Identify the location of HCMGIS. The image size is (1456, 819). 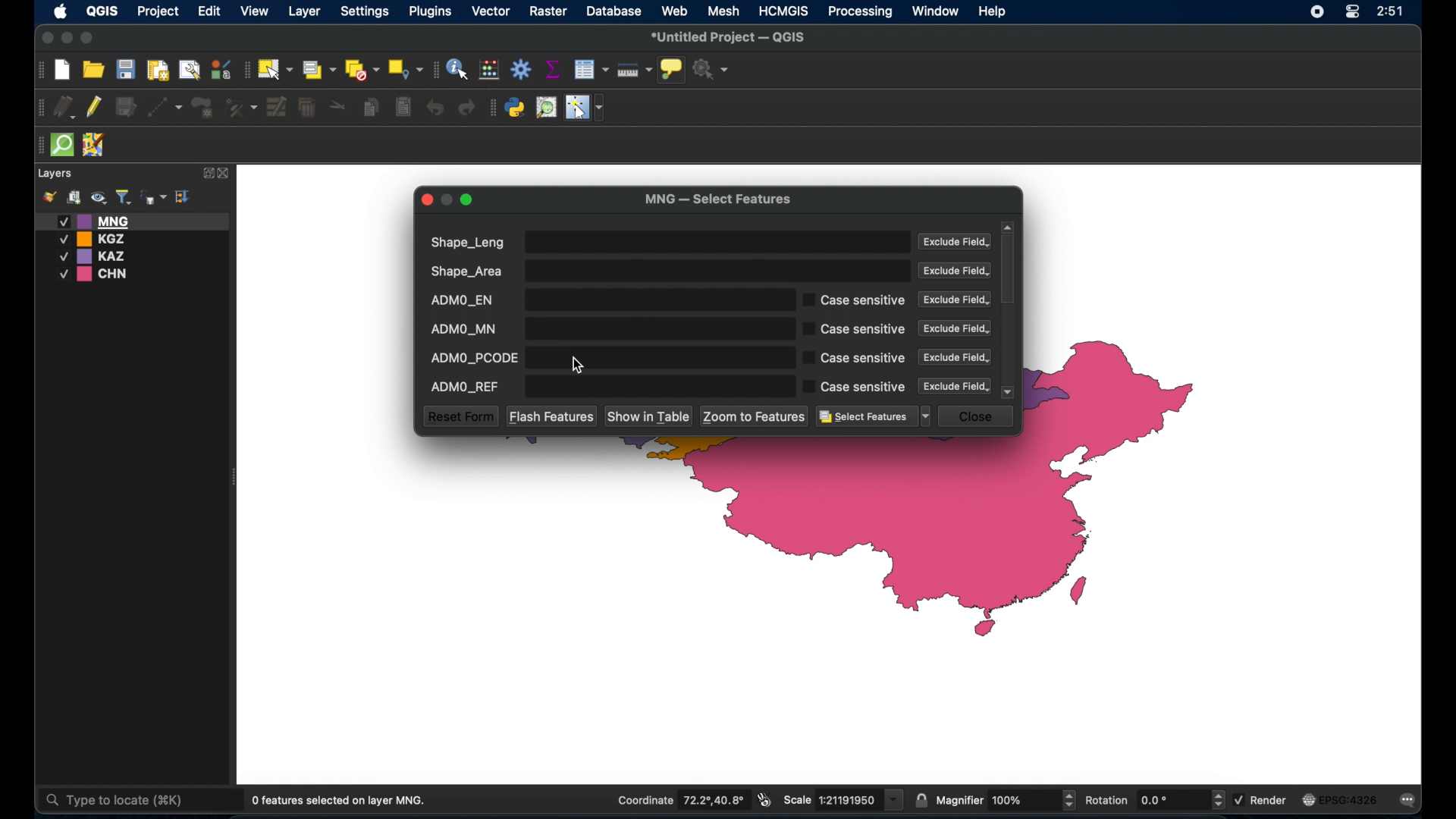
(784, 11).